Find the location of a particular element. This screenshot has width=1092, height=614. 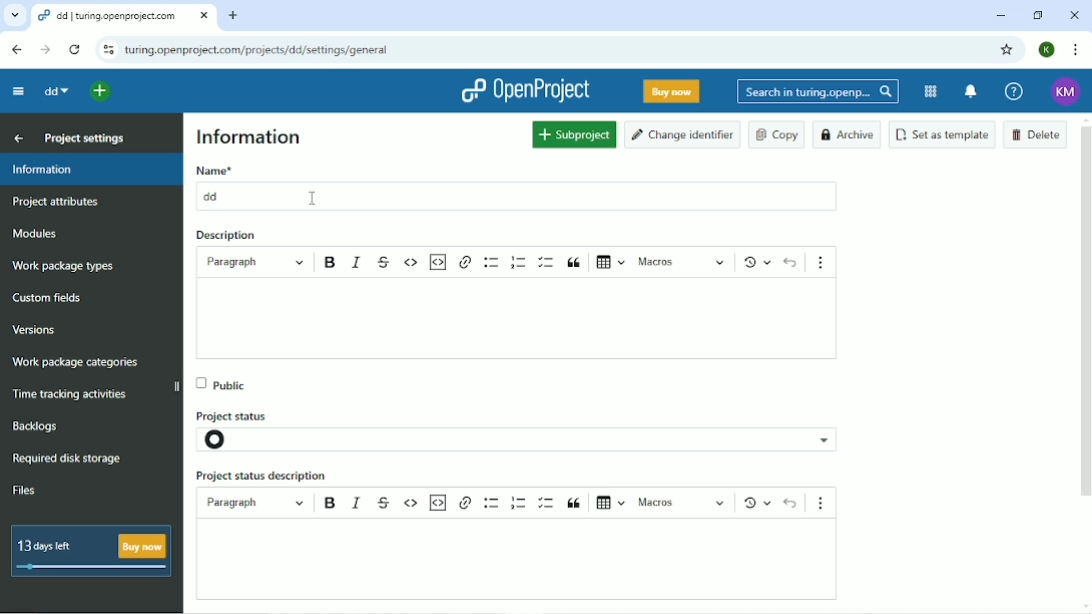

project status options is located at coordinates (827, 439).